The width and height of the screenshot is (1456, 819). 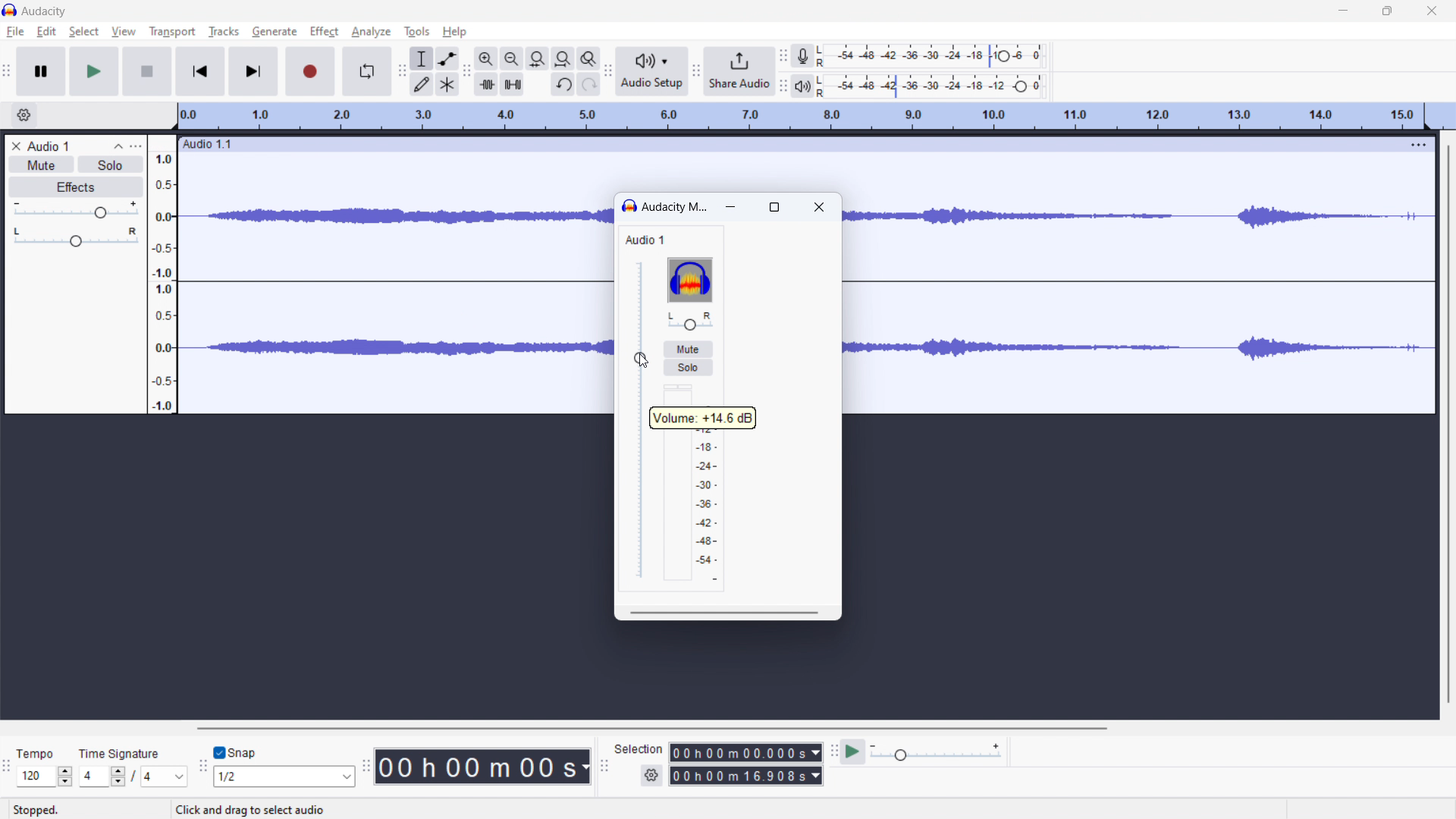 What do you see at coordinates (745, 776) in the screenshot?
I see `end time` at bounding box center [745, 776].